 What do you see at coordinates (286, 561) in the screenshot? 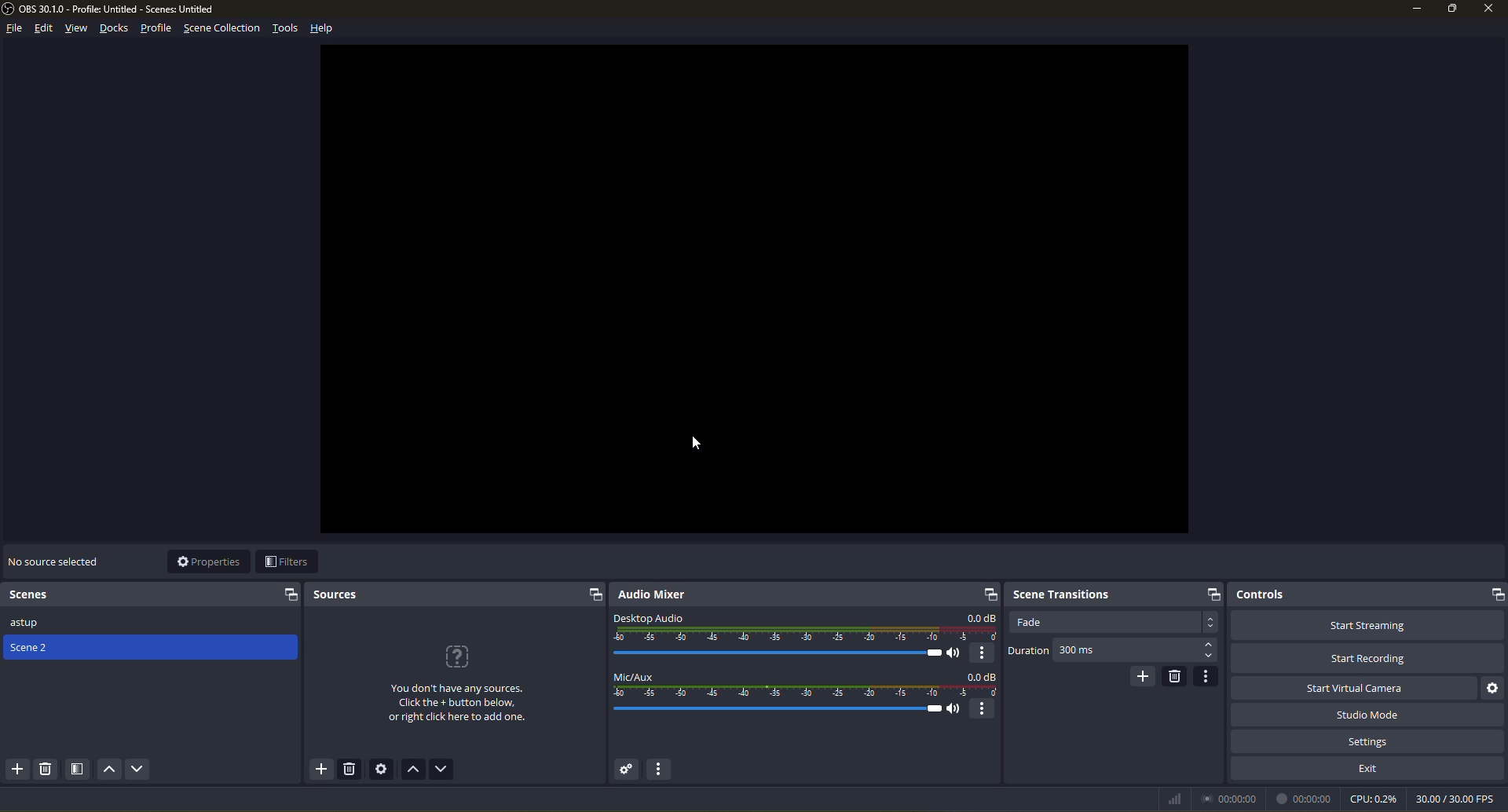
I see `filters` at bounding box center [286, 561].